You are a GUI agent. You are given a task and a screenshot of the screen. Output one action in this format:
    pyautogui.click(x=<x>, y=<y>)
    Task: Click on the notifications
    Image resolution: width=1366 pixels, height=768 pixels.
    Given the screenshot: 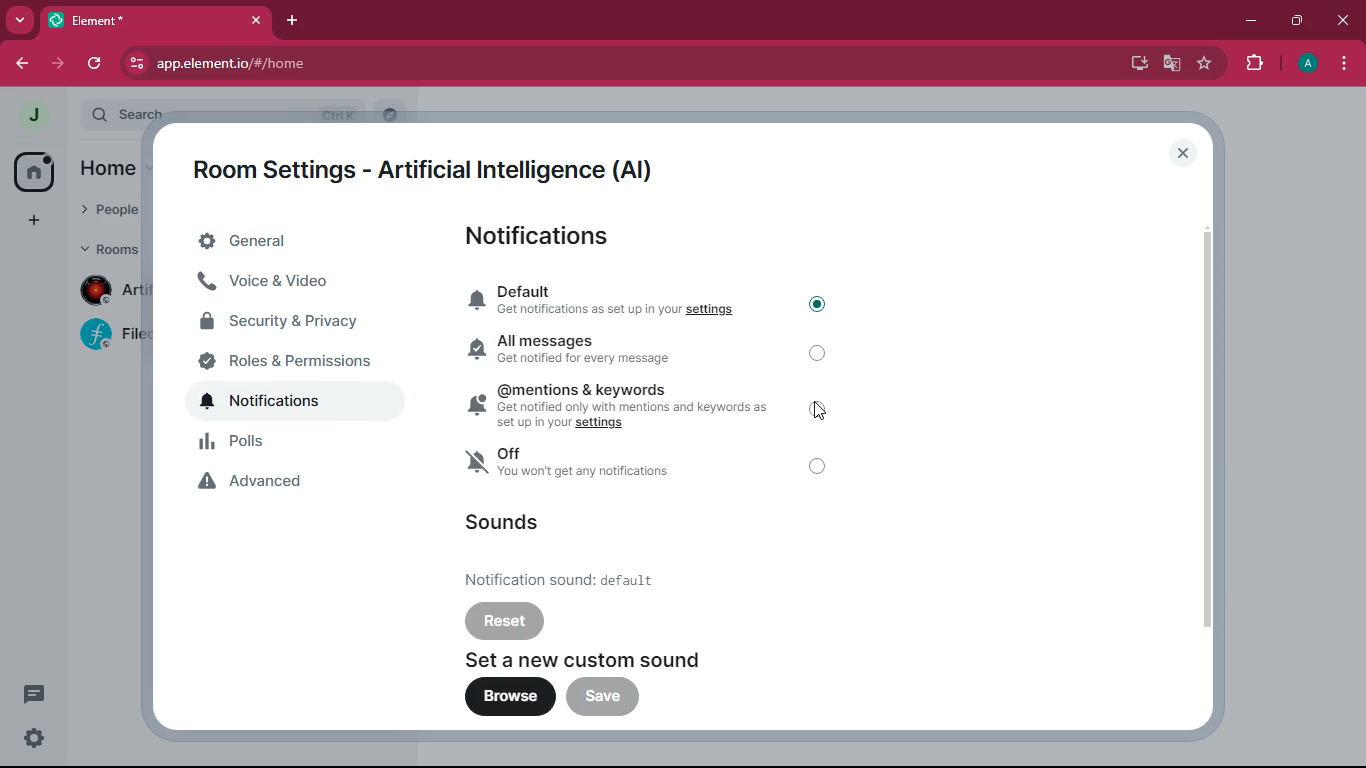 What is the action you would take?
    pyautogui.click(x=295, y=402)
    